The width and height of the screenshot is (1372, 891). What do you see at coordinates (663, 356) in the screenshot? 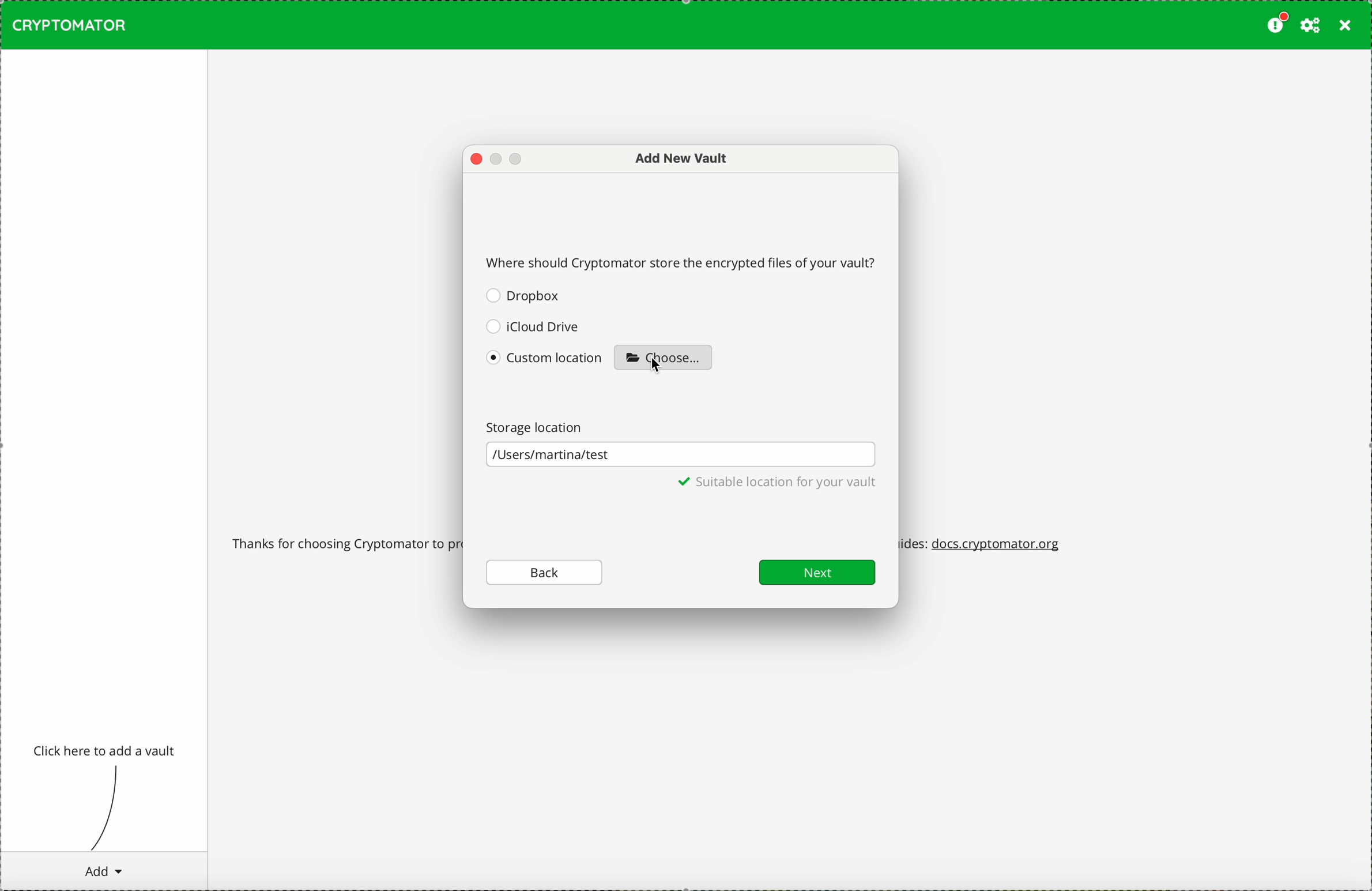
I see `choose folder` at bounding box center [663, 356].